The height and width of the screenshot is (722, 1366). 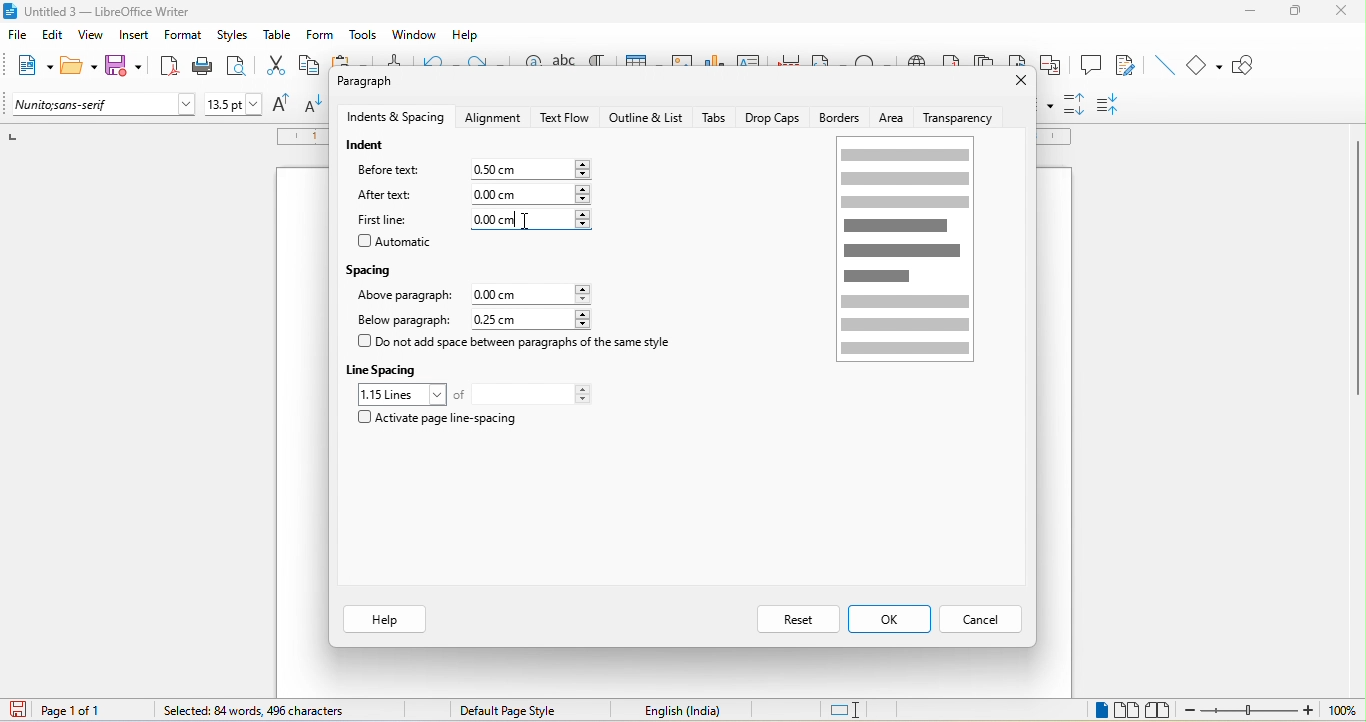 I want to click on increase size, so click(x=278, y=103).